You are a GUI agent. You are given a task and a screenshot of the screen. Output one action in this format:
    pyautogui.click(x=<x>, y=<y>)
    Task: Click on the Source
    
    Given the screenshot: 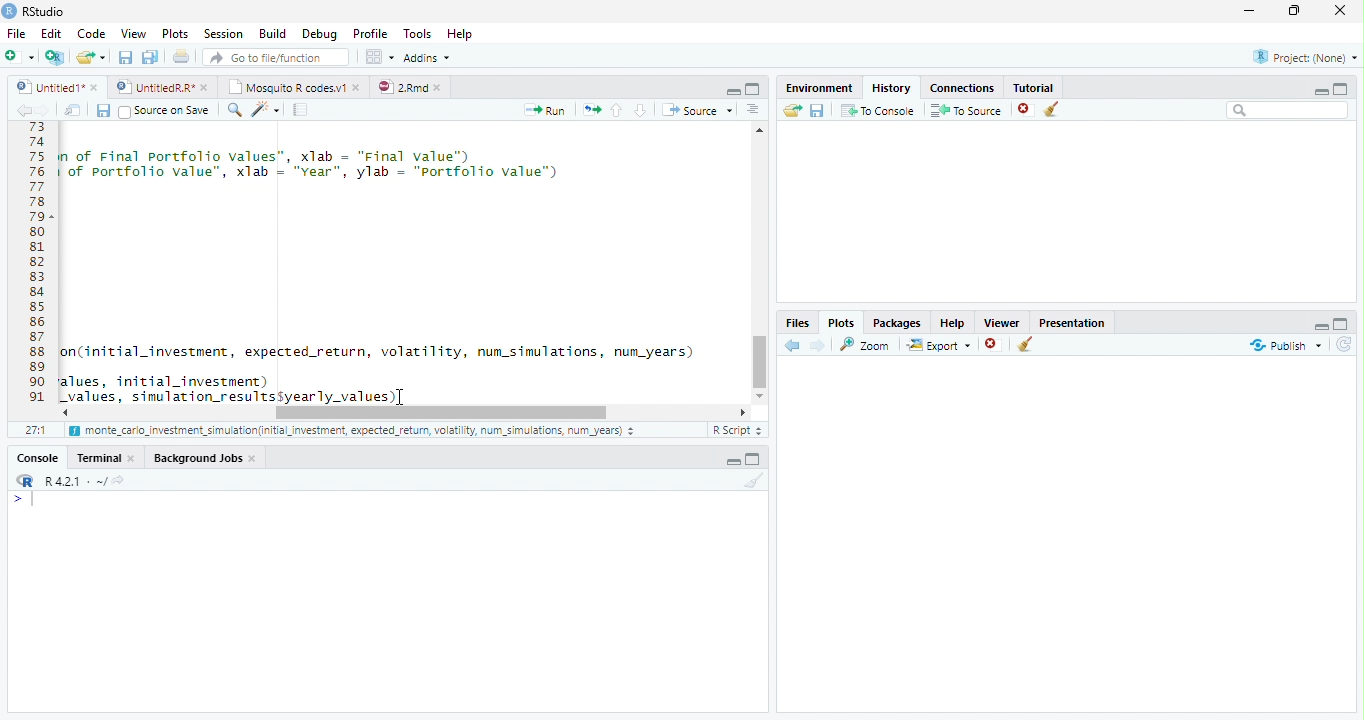 What is the action you would take?
    pyautogui.click(x=696, y=109)
    